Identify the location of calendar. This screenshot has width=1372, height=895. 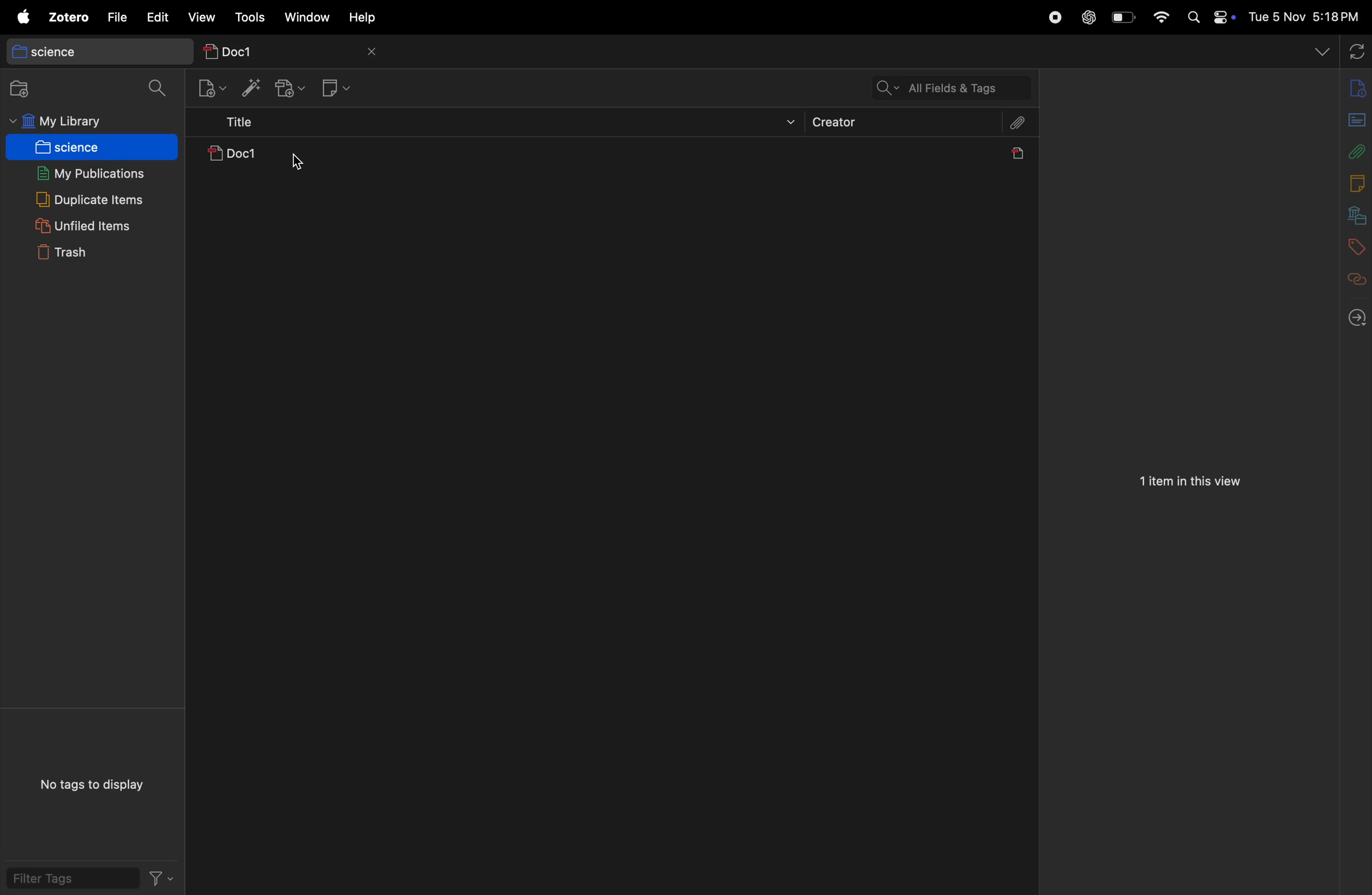
(1348, 183).